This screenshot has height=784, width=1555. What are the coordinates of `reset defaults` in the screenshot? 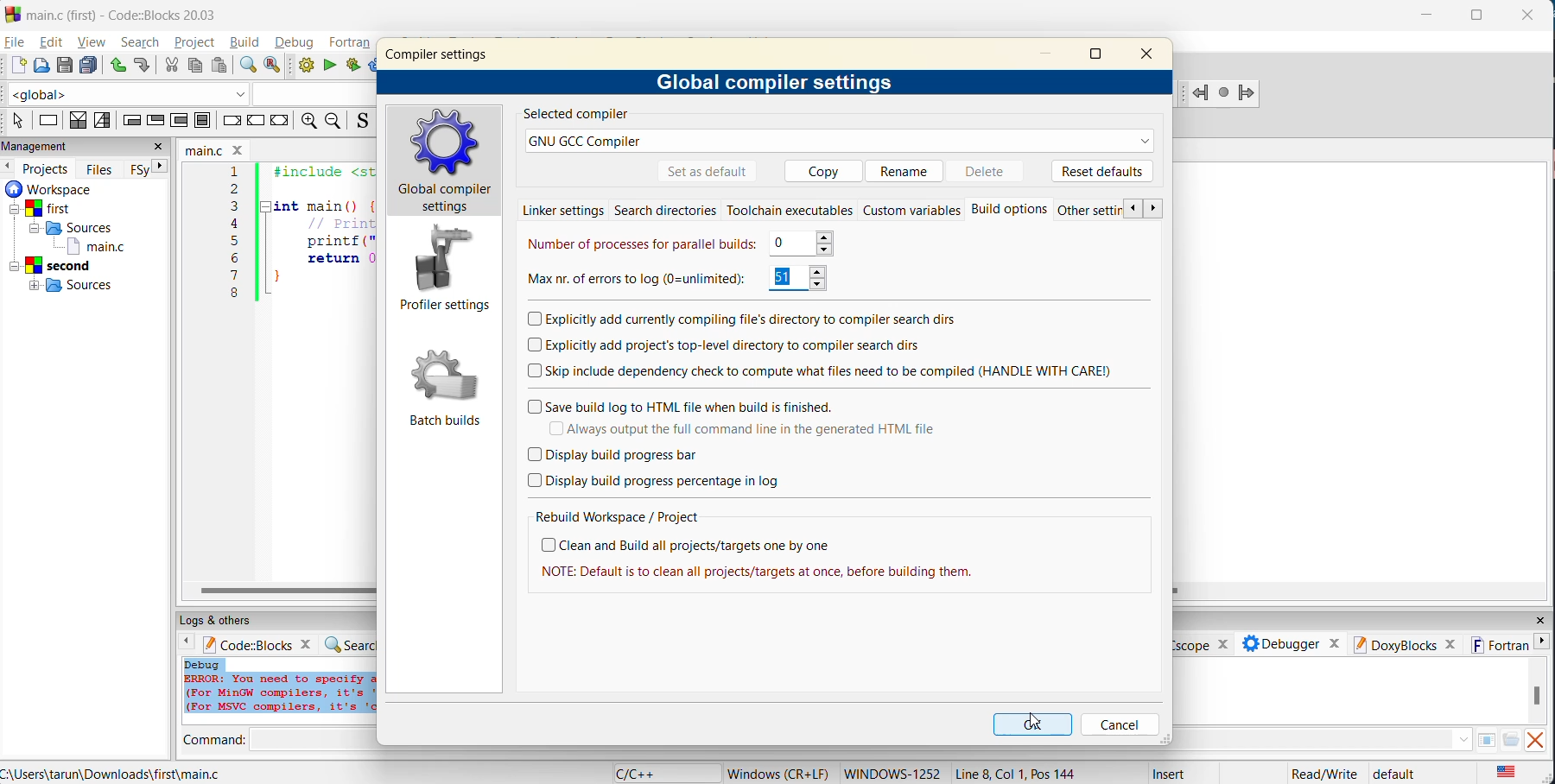 It's located at (1101, 172).